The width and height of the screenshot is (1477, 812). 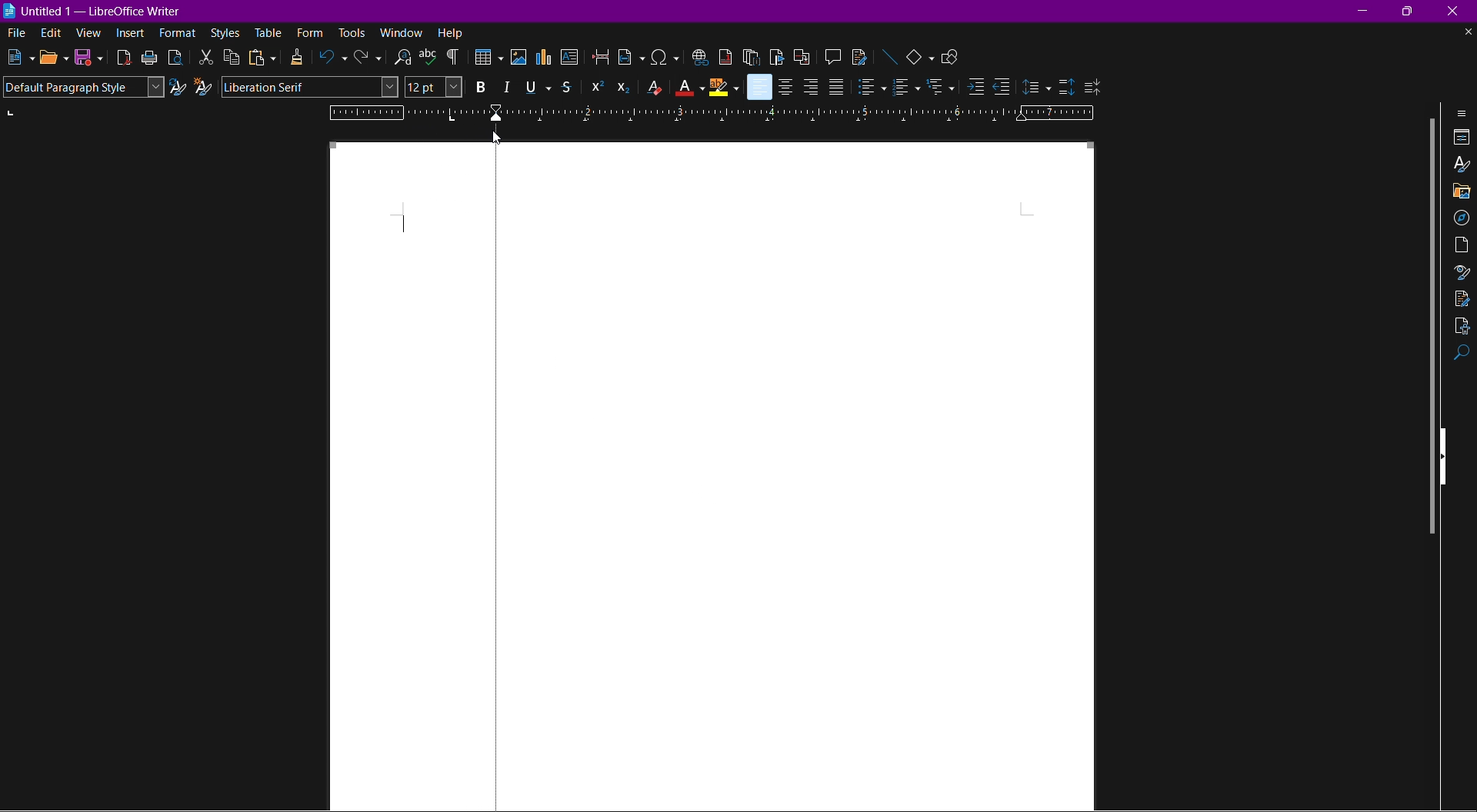 I want to click on Help, so click(x=452, y=32).